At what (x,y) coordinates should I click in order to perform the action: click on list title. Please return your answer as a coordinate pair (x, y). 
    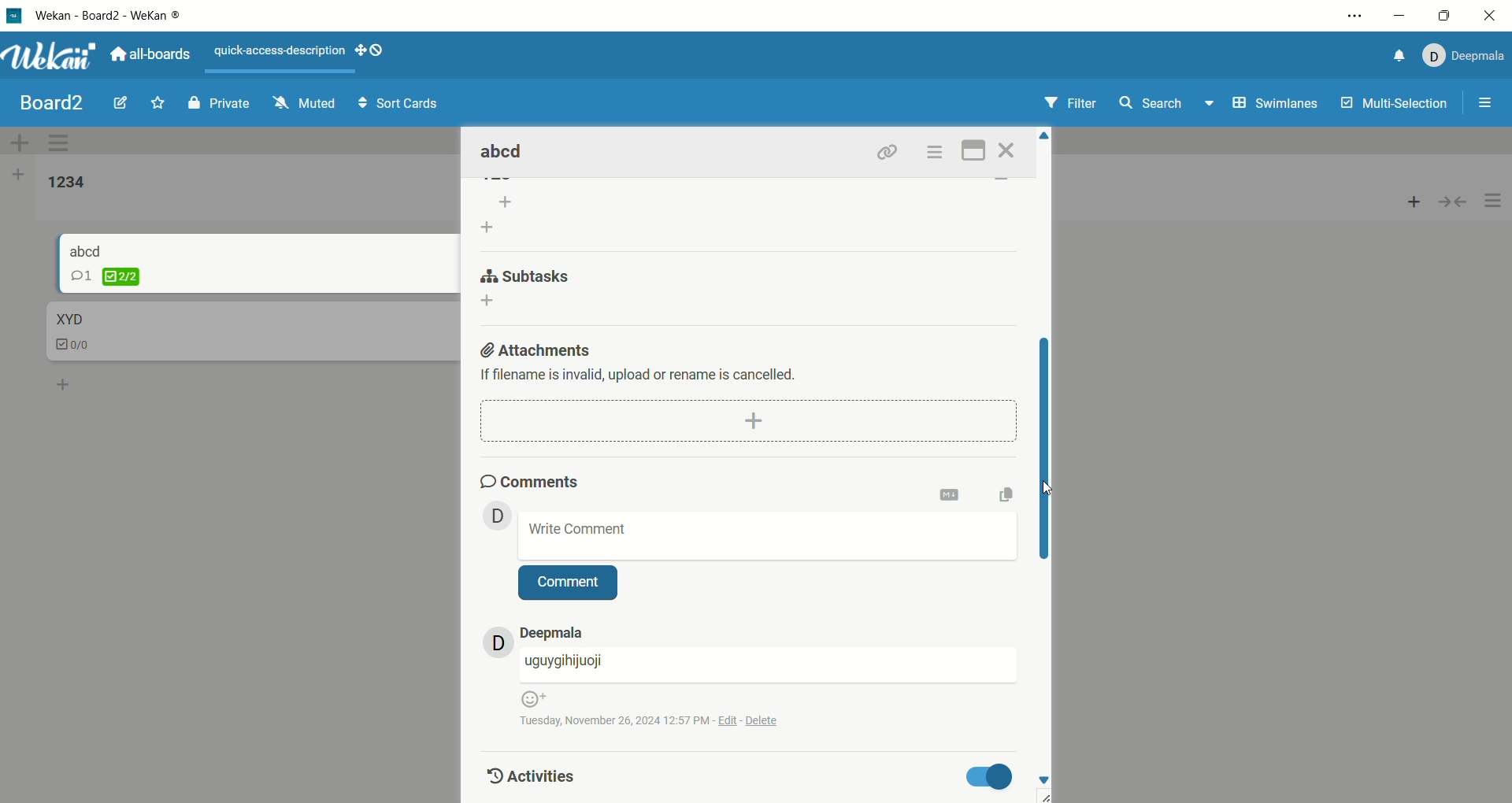
    Looking at the image, I should click on (67, 183).